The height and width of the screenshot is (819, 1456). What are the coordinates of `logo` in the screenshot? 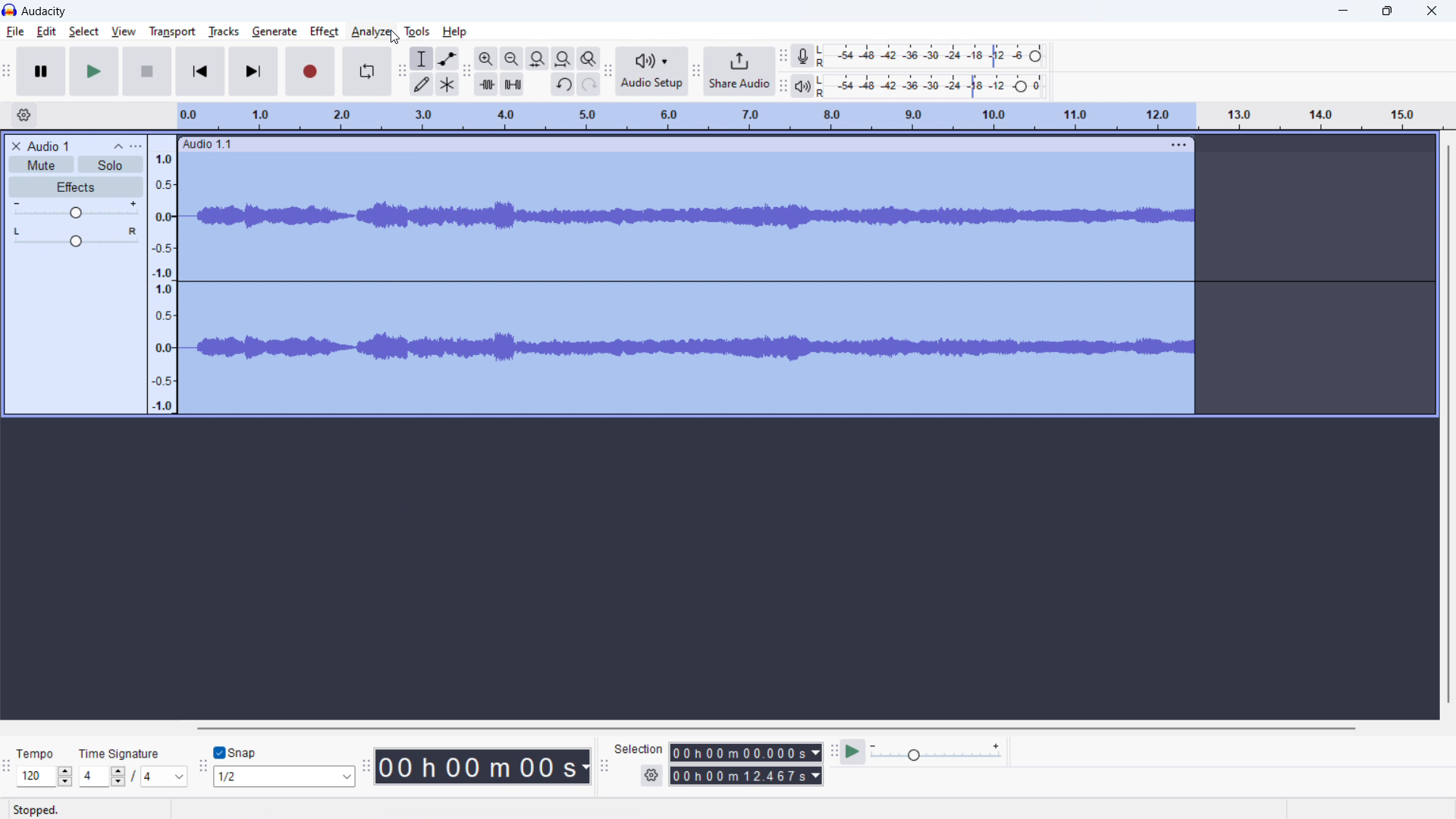 It's located at (44, 11).